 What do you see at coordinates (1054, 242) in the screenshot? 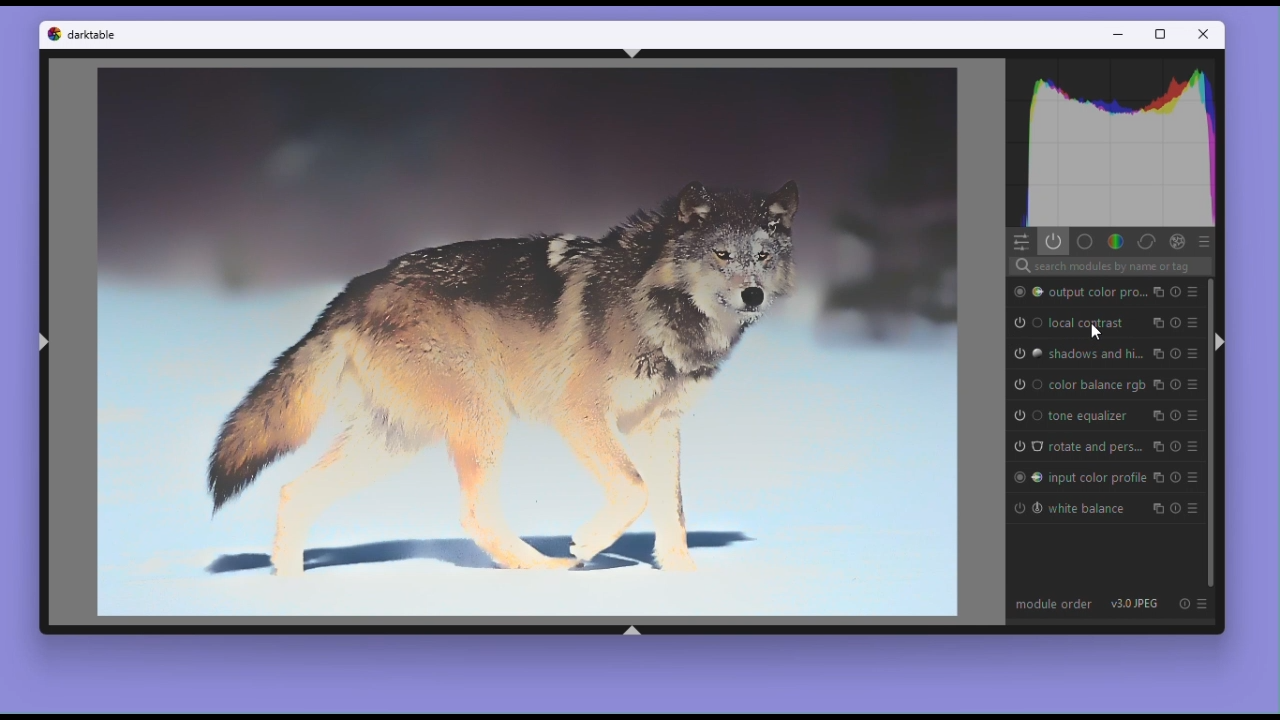
I see `Show active modules only` at bounding box center [1054, 242].